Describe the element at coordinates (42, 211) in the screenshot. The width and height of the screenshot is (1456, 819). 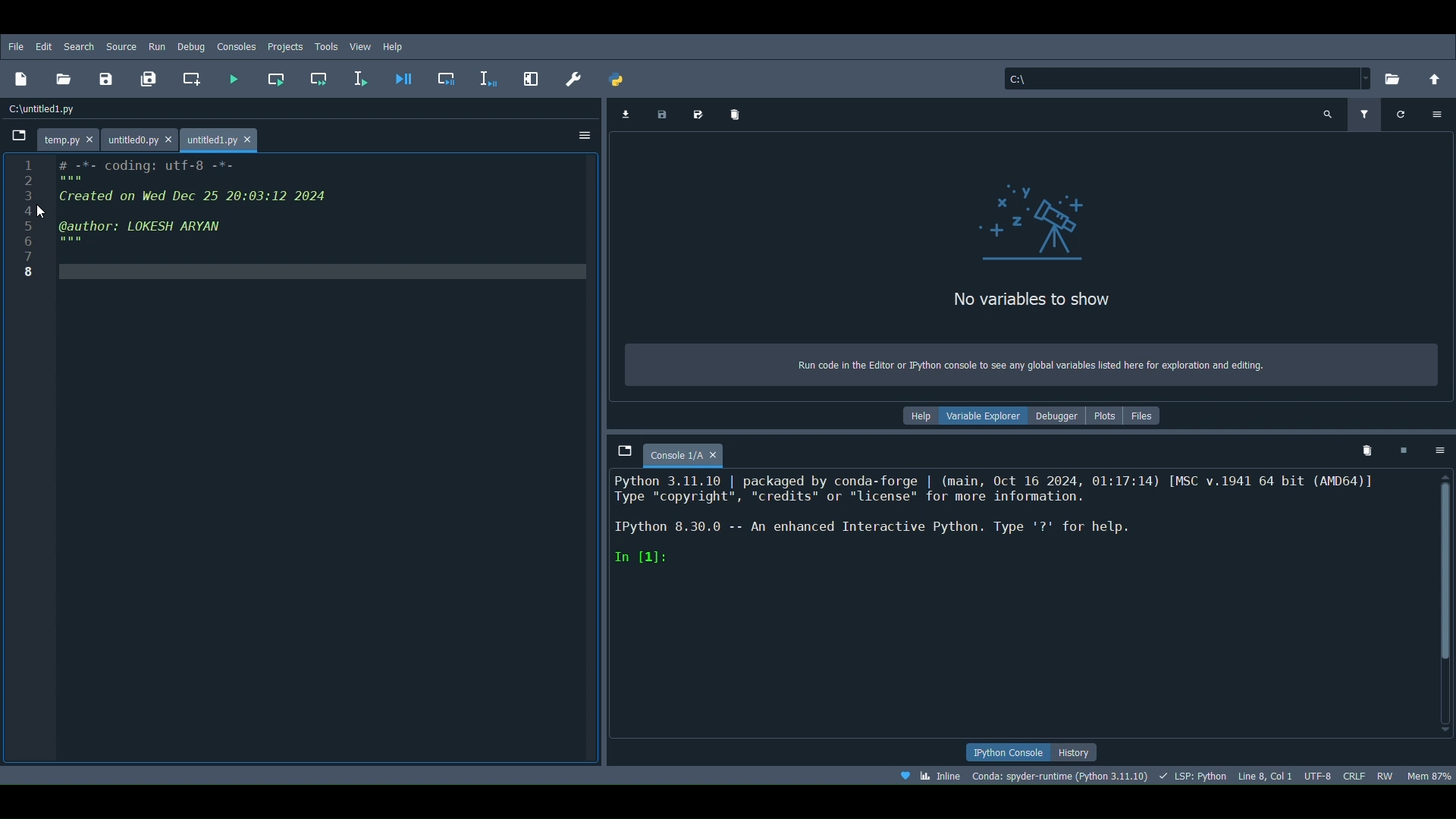
I see `Cursor` at that location.